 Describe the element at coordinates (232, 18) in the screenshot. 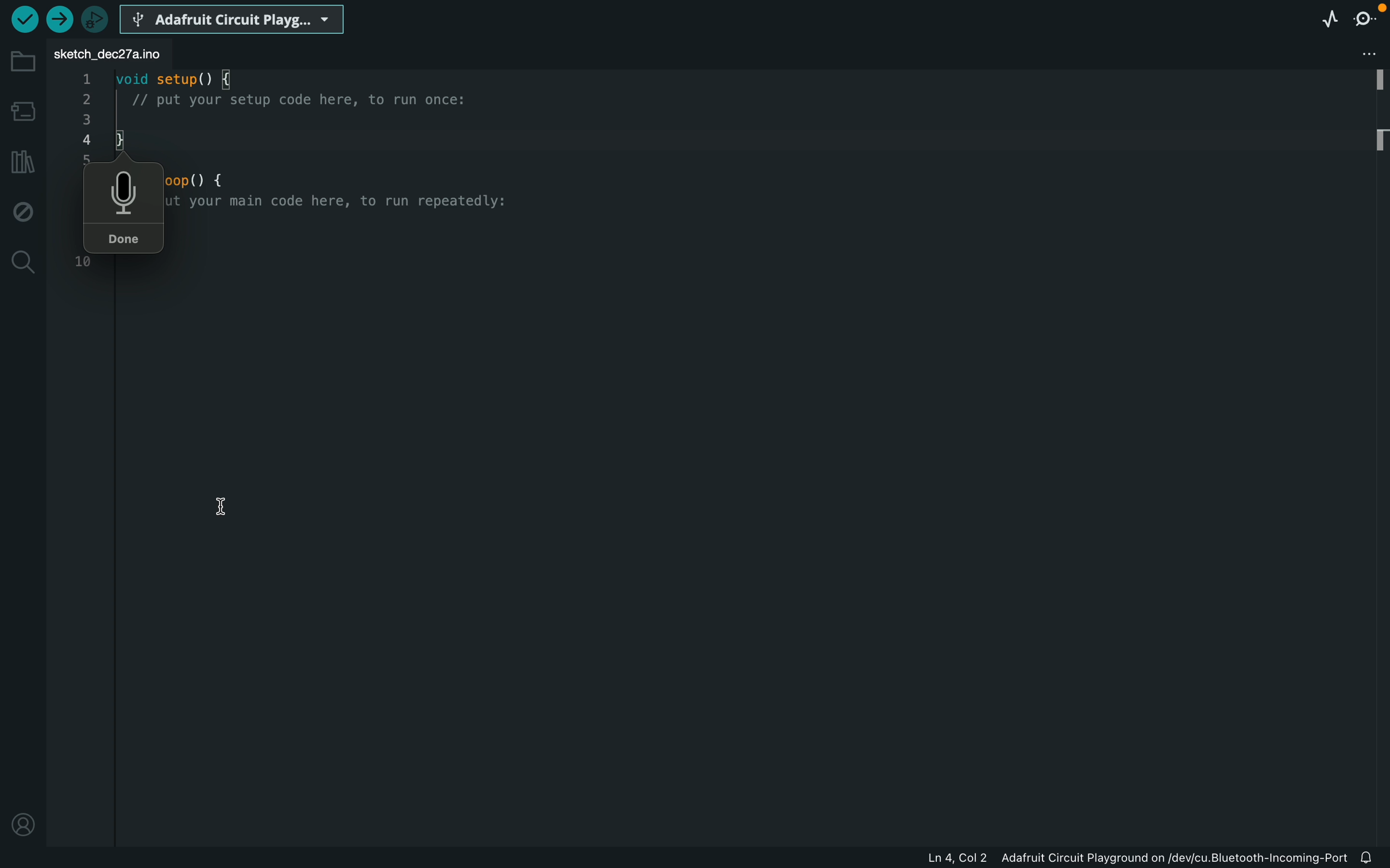

I see `Arduino Circuit Playg...` at that location.